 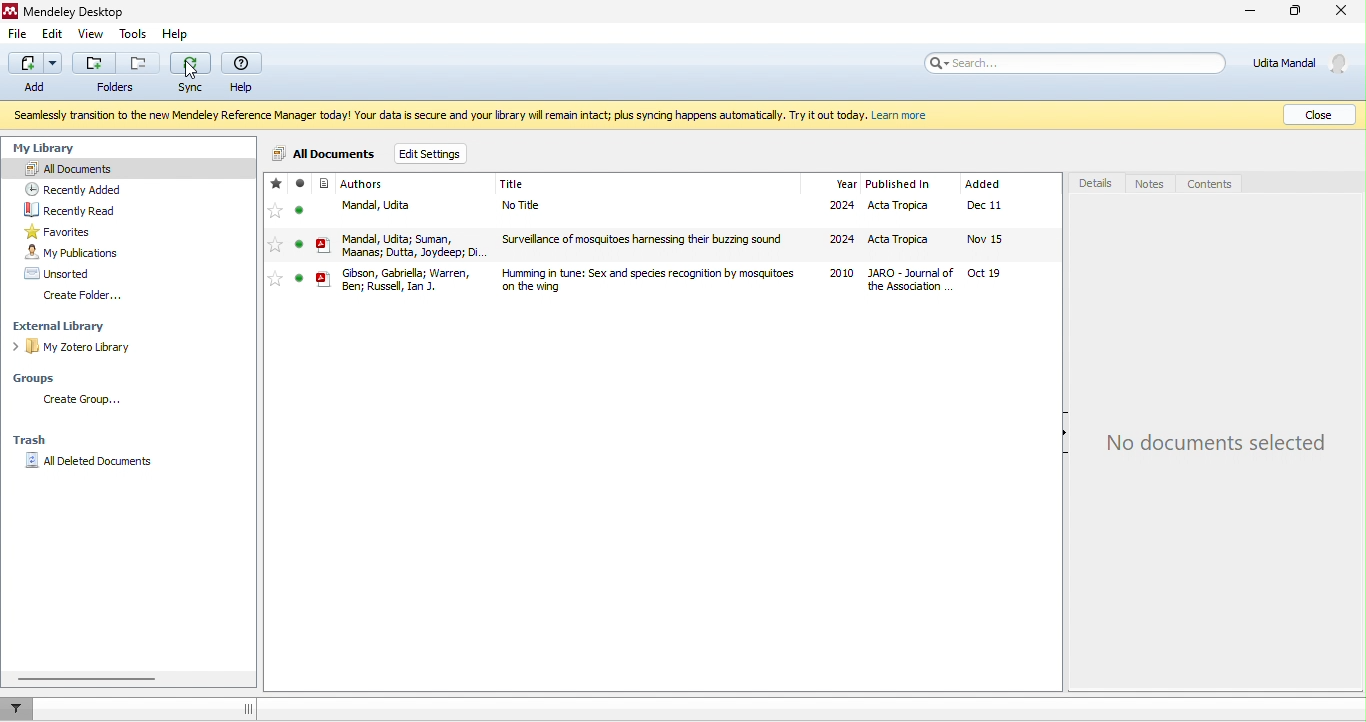 What do you see at coordinates (60, 271) in the screenshot?
I see `unsorted` at bounding box center [60, 271].